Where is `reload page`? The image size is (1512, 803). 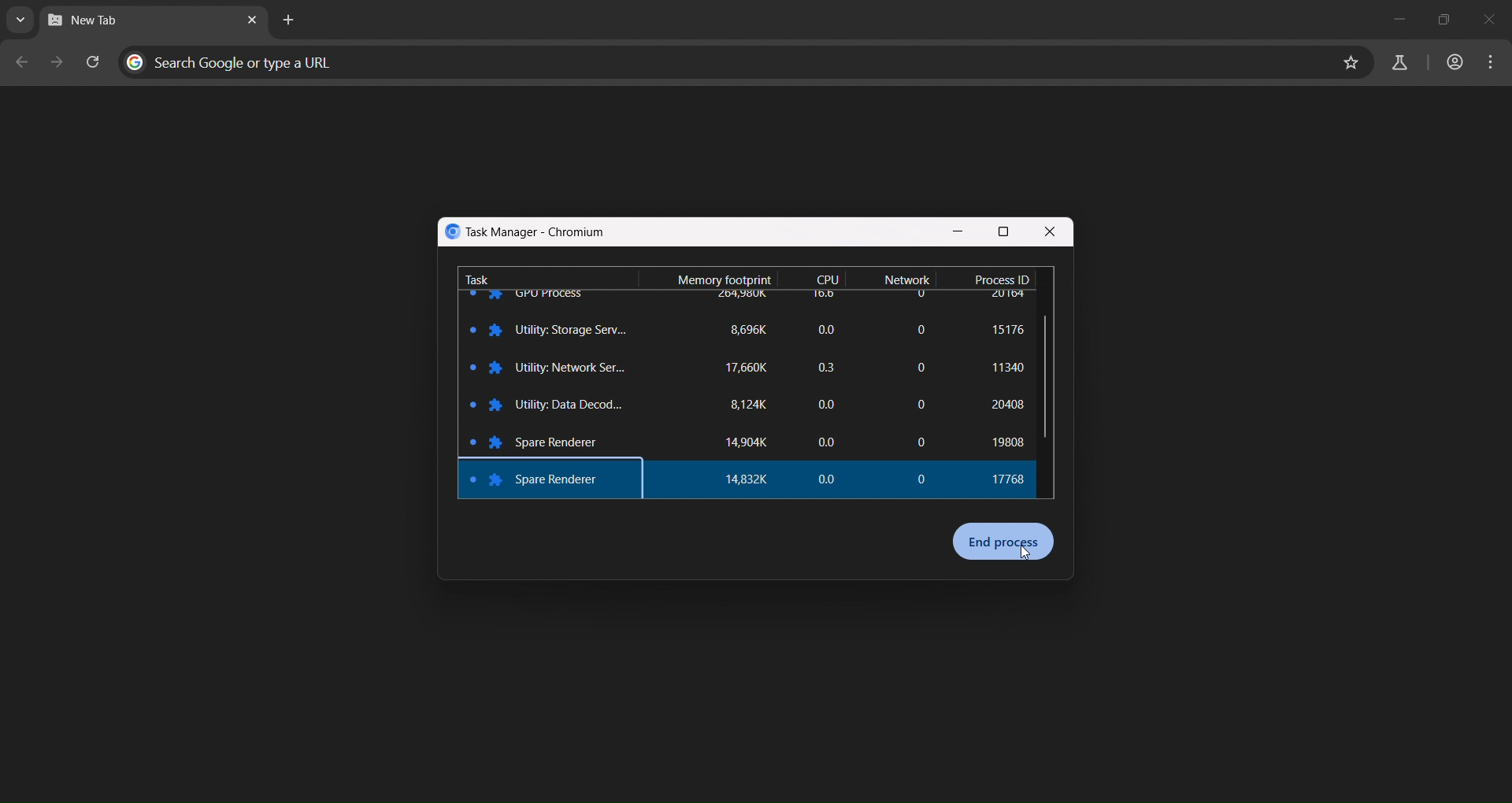
reload page is located at coordinates (95, 61).